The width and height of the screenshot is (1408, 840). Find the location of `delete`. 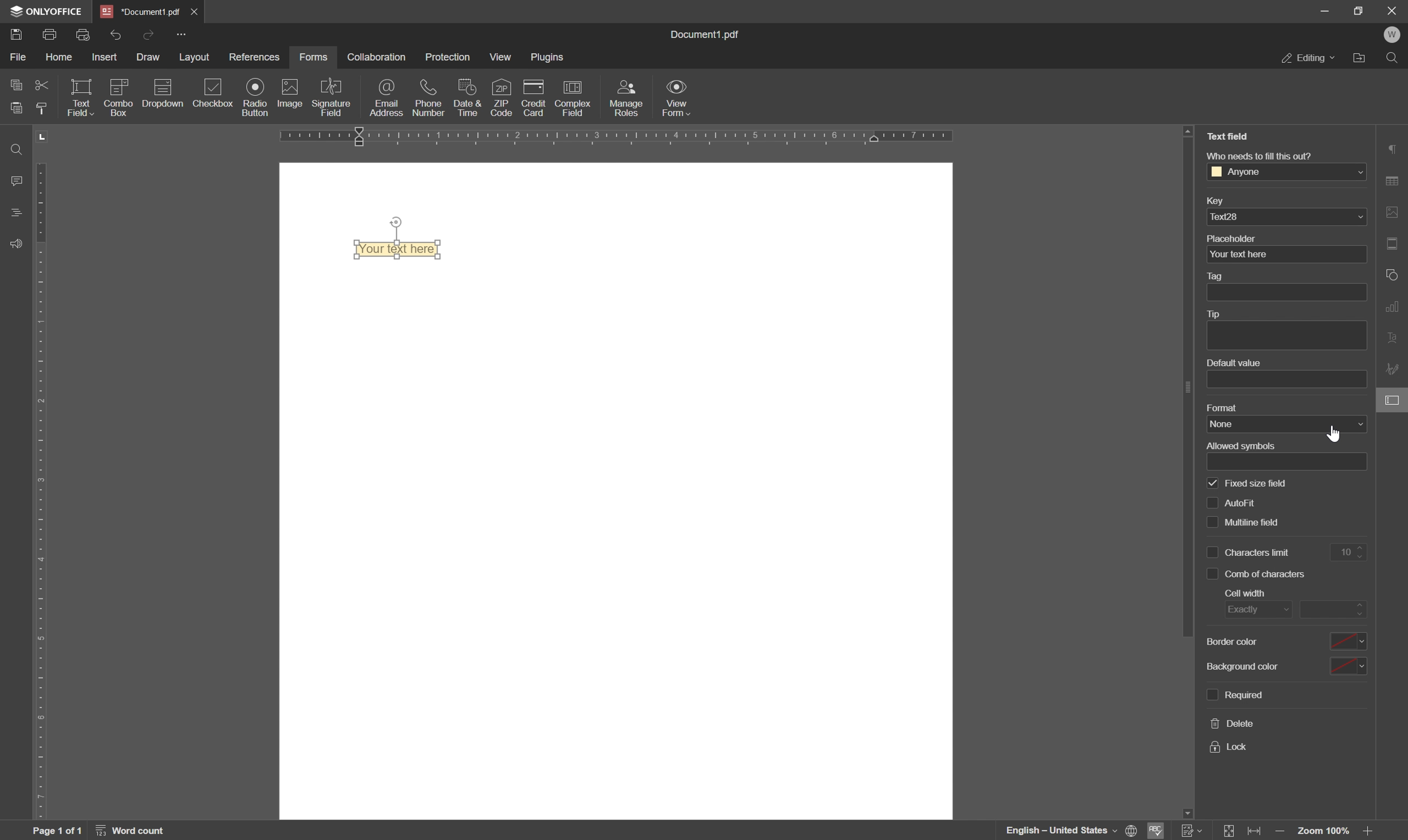

delete is located at coordinates (1229, 725).